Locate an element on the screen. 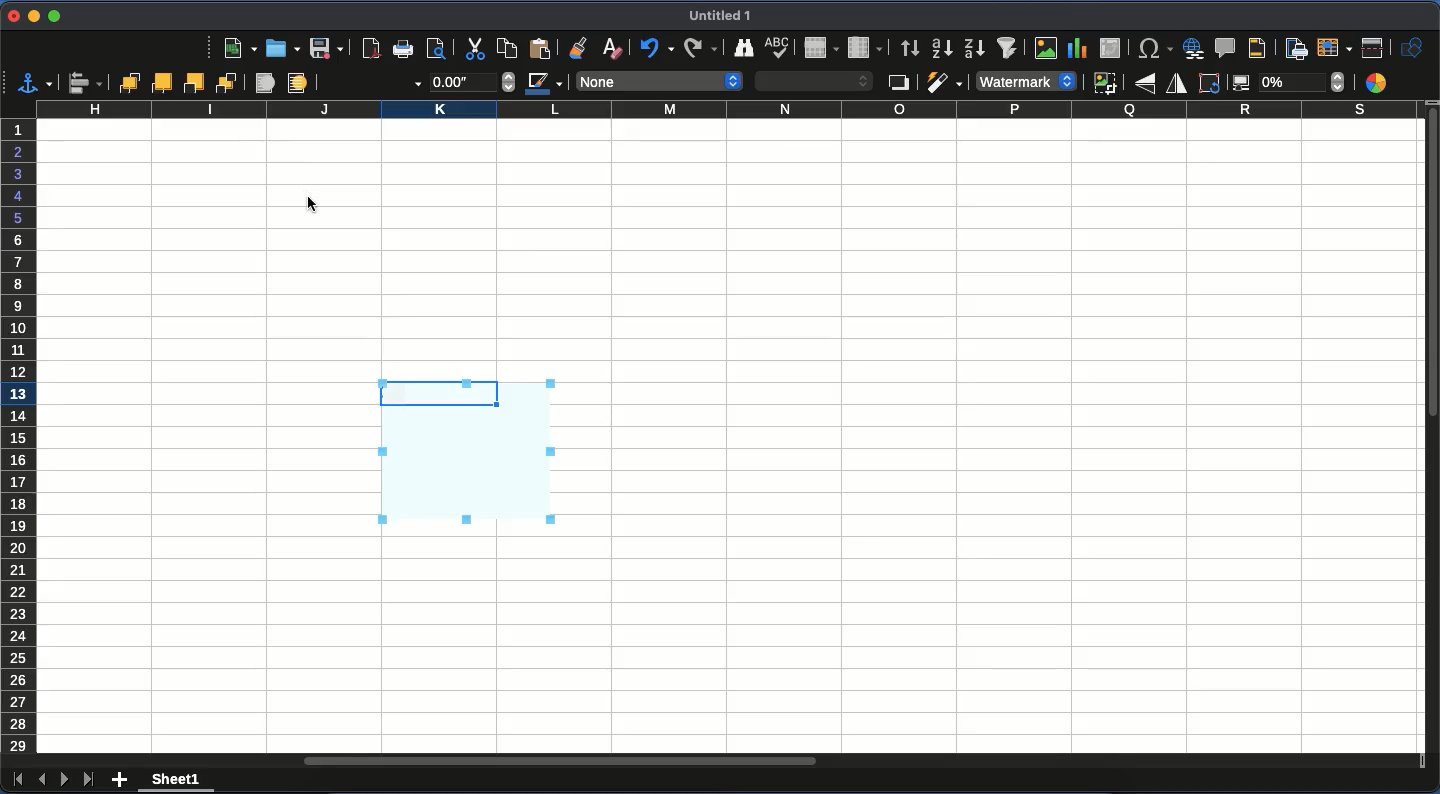  foreground is located at coordinates (263, 84).